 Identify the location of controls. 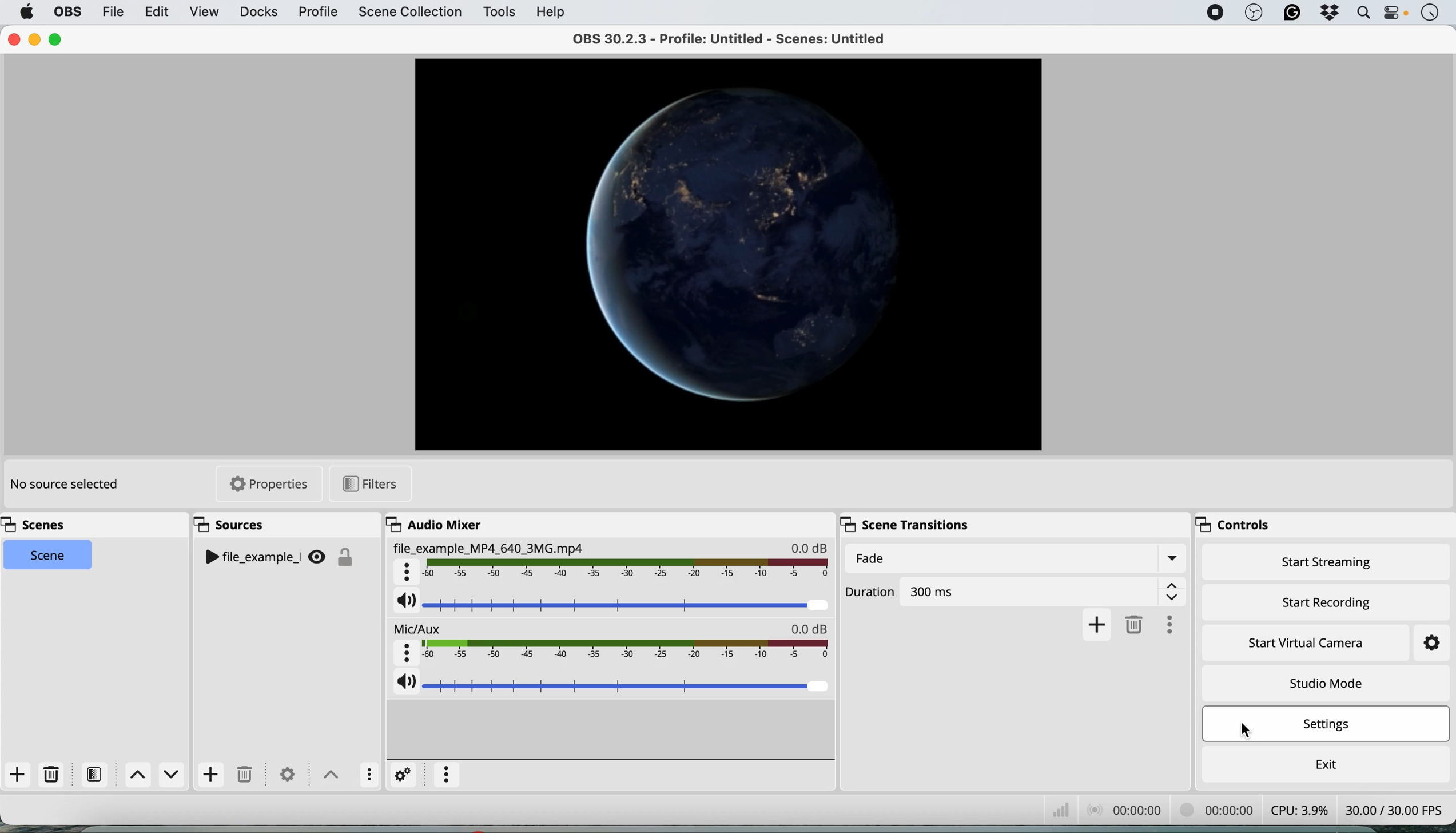
(1241, 526).